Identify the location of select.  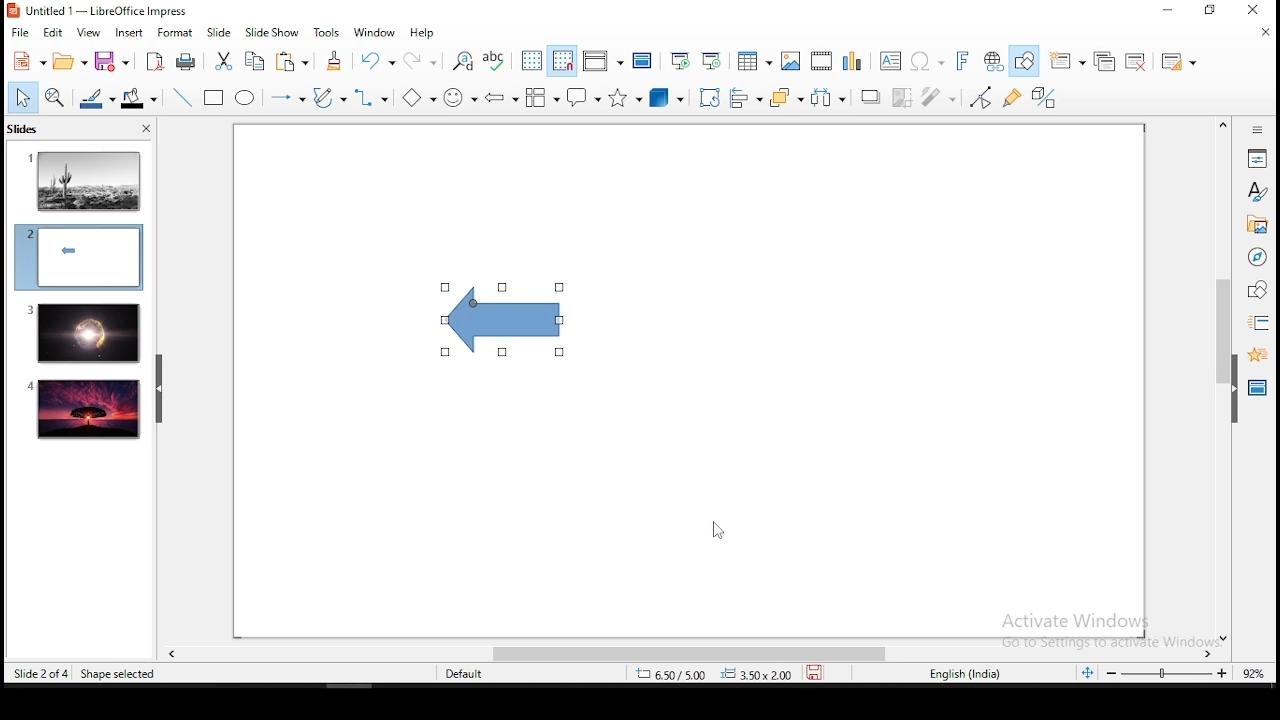
(23, 99).